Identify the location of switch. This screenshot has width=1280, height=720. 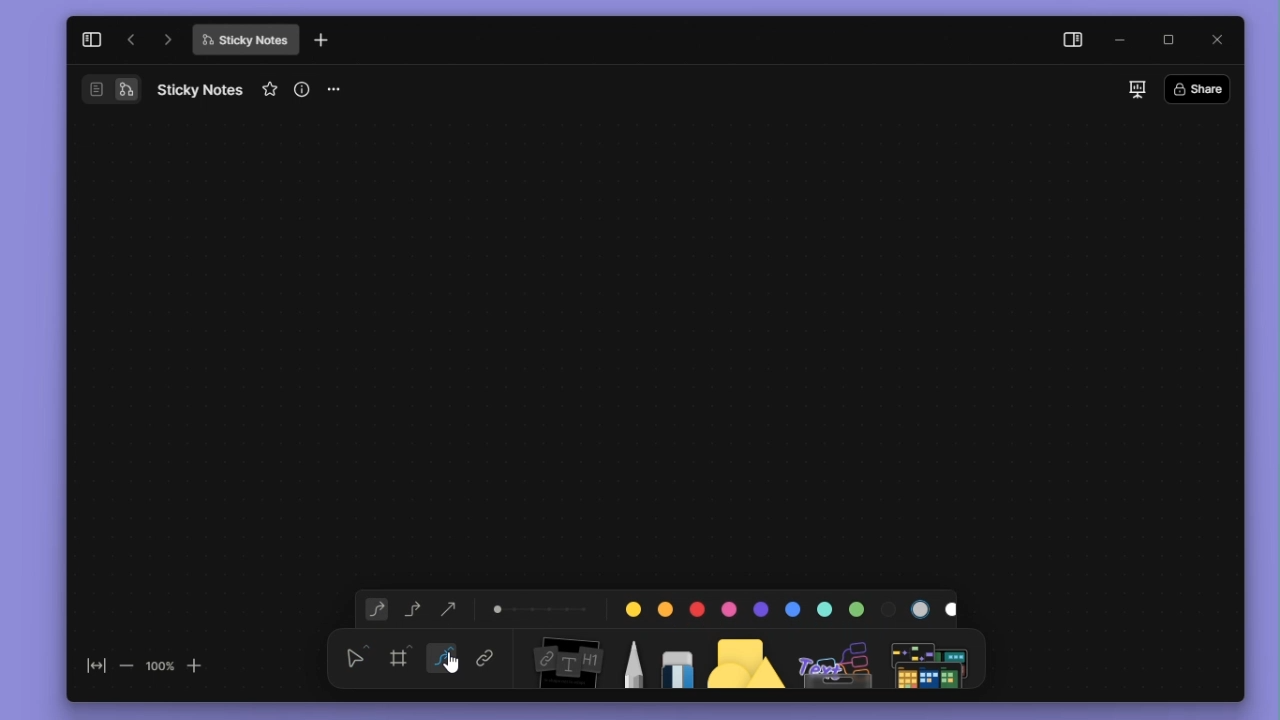
(110, 89).